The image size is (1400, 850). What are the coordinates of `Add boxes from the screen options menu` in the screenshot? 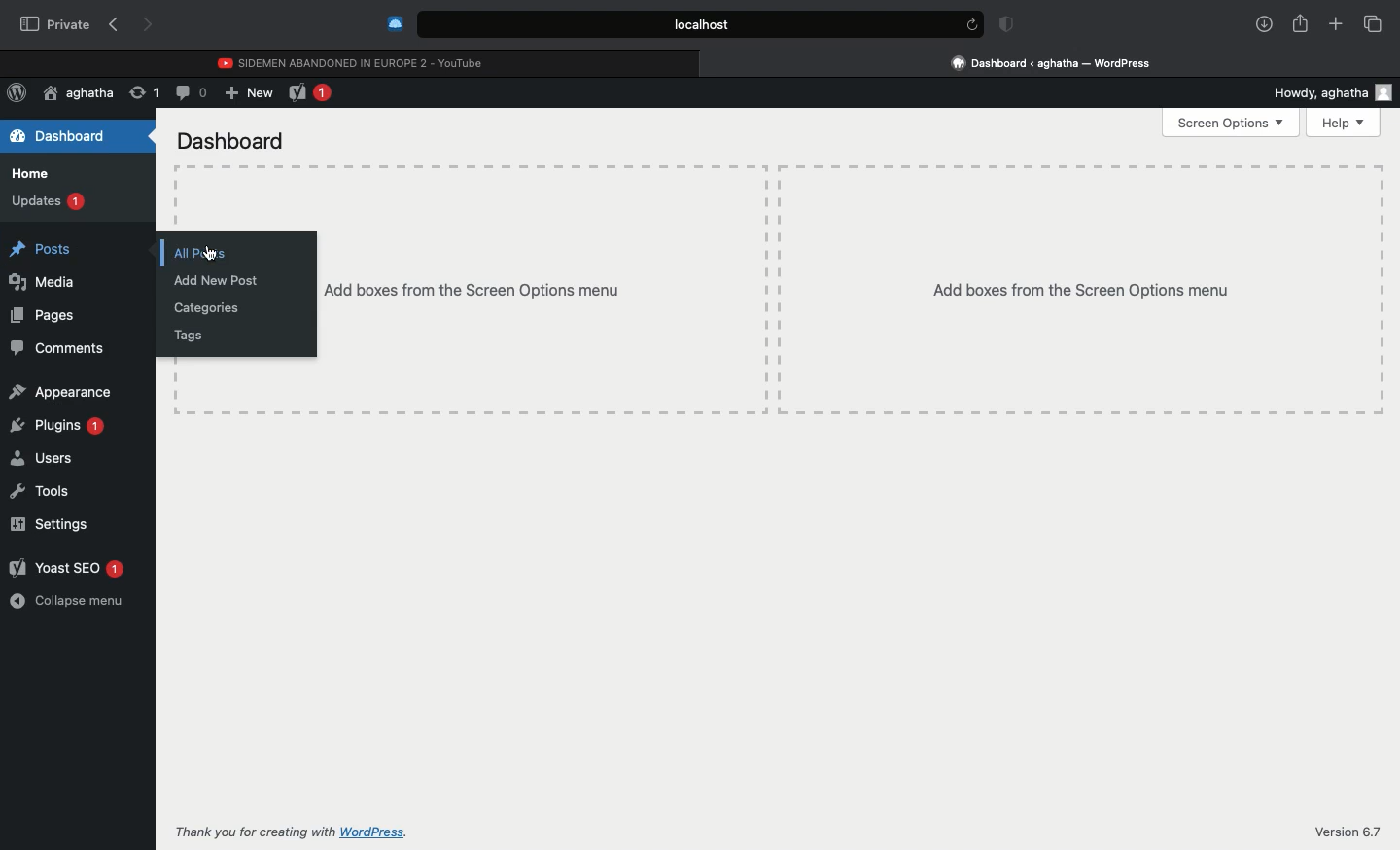 It's located at (542, 288).